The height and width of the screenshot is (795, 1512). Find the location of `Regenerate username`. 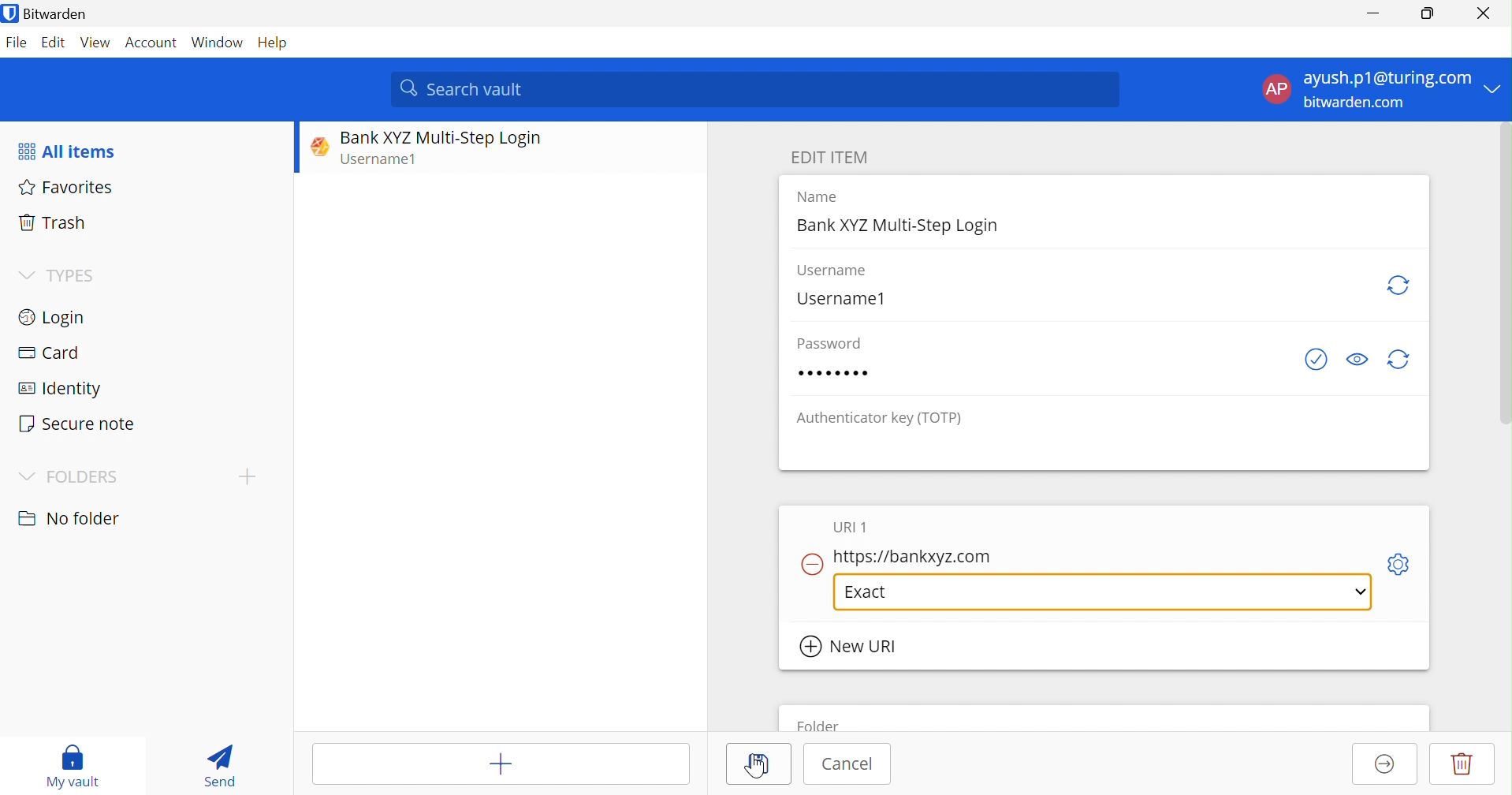

Regenerate username is located at coordinates (1400, 285).